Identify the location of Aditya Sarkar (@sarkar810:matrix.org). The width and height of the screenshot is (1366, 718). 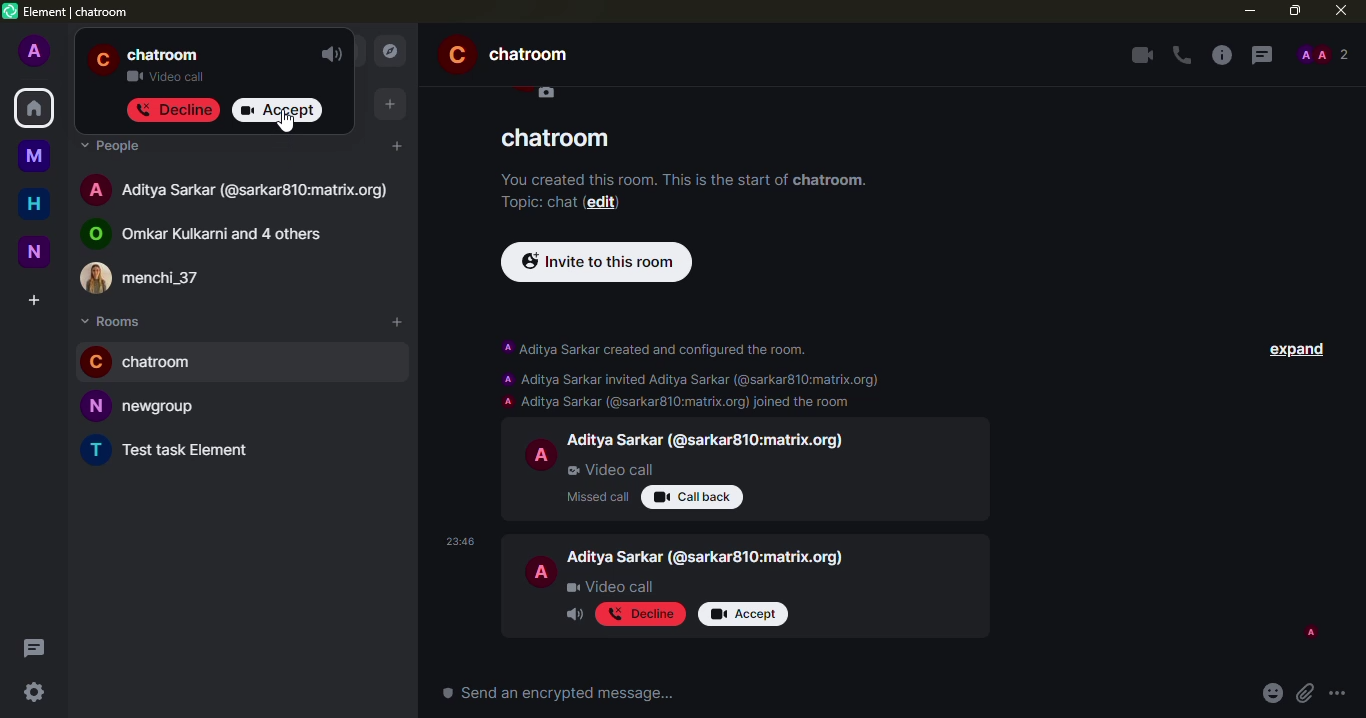
(706, 558).